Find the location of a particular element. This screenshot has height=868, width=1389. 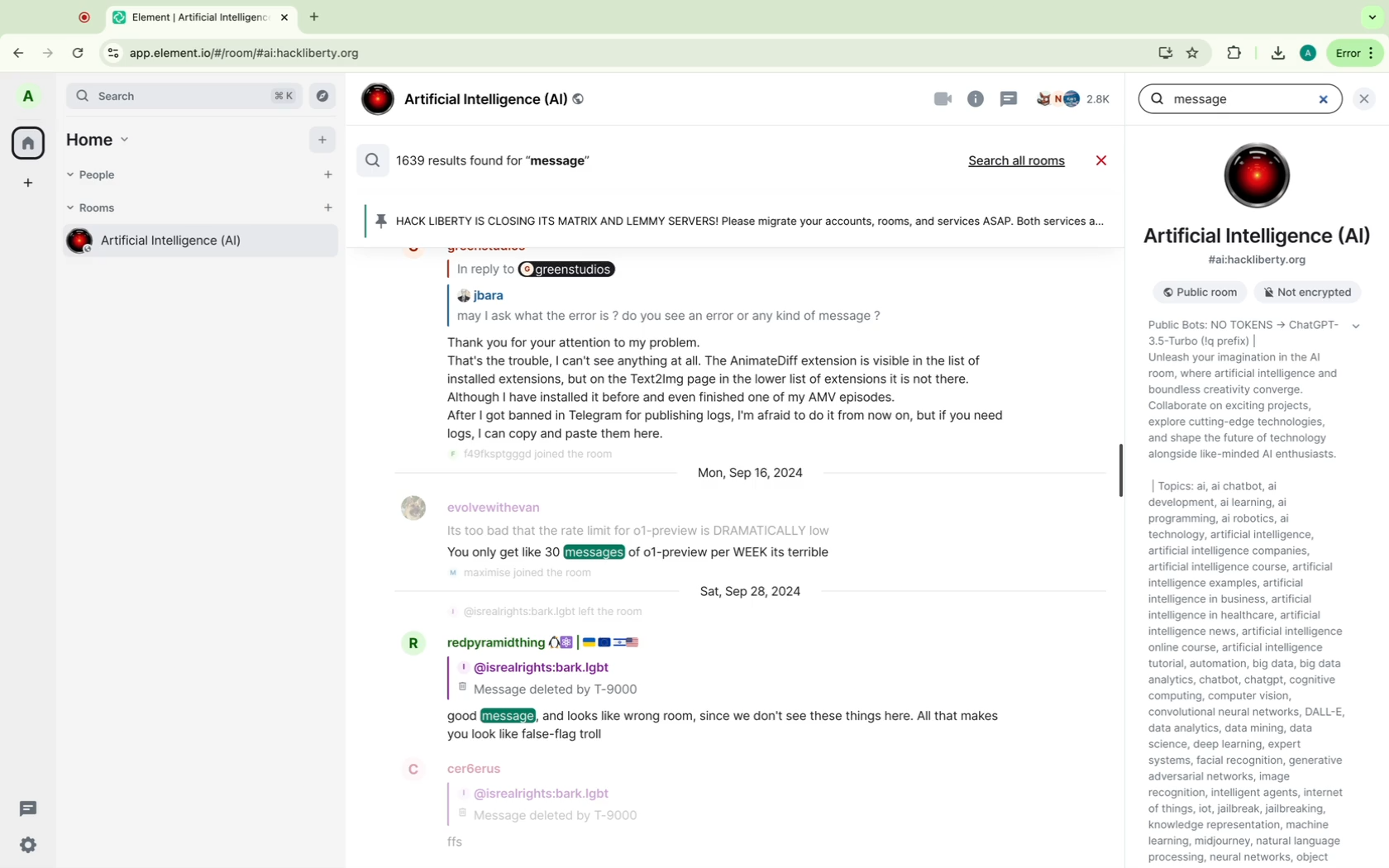

room is located at coordinates (197, 244).